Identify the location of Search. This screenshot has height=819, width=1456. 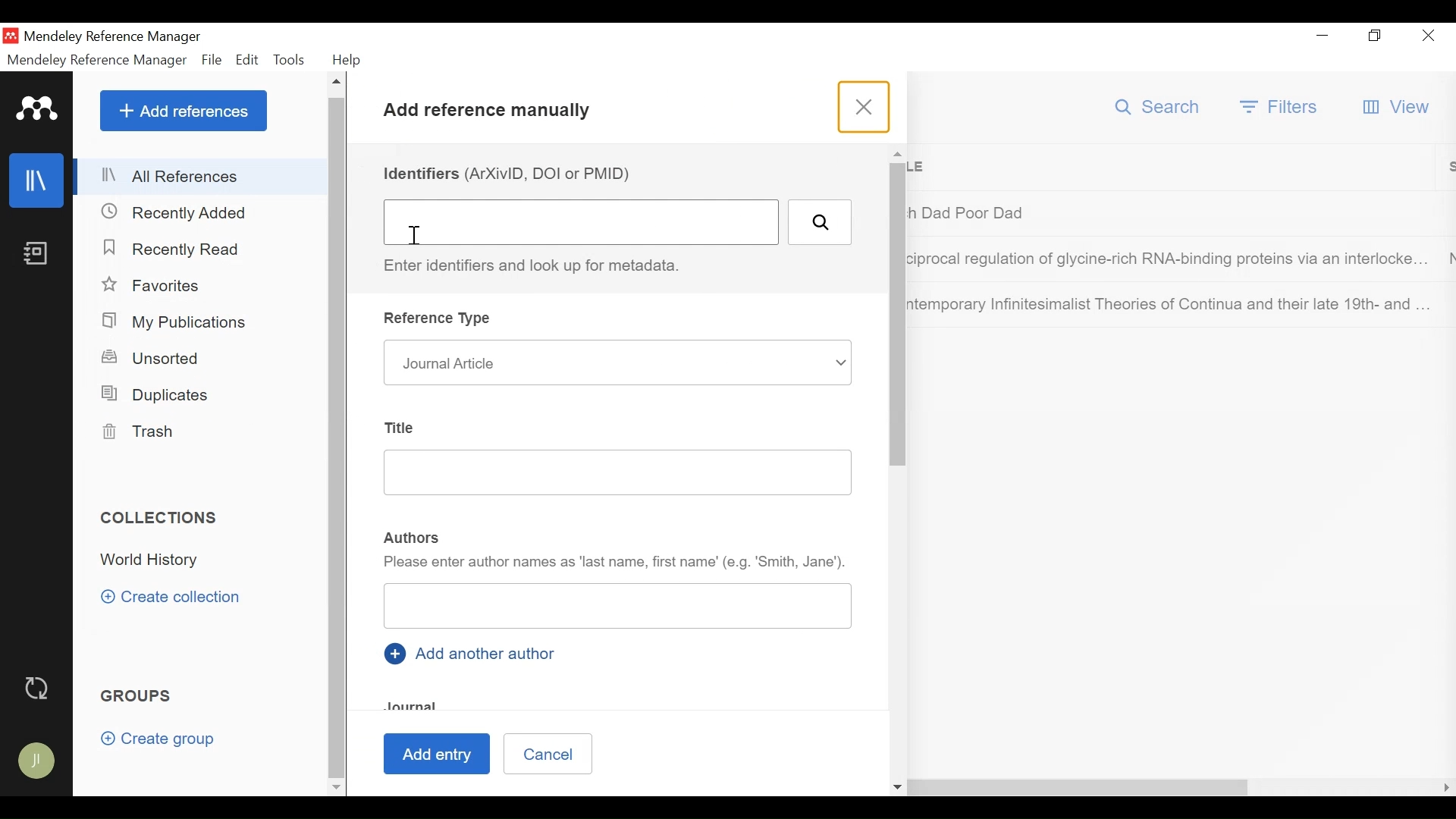
(820, 221).